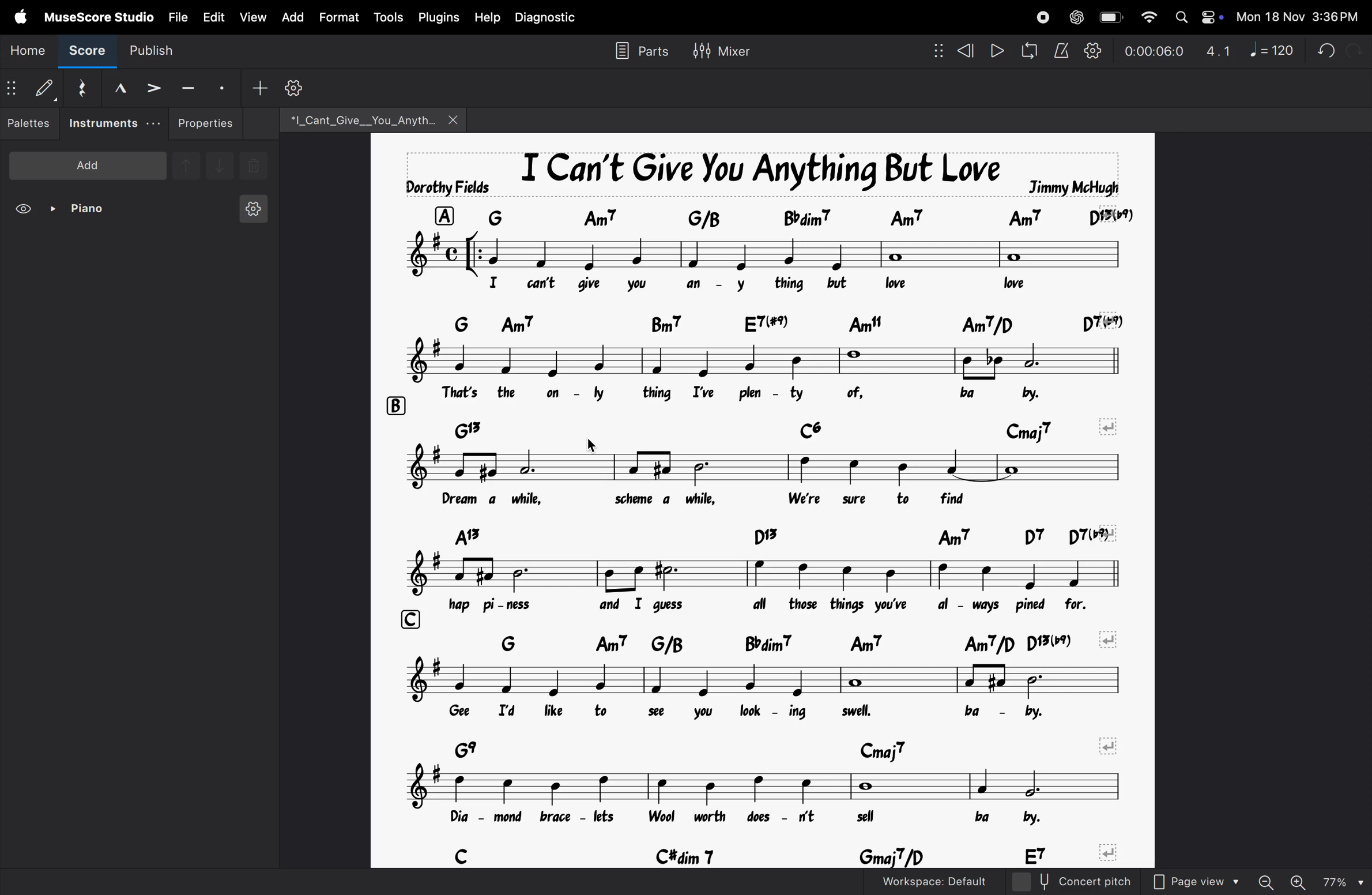 The width and height of the screenshot is (1372, 895). What do you see at coordinates (589, 442) in the screenshot?
I see `cursor` at bounding box center [589, 442].